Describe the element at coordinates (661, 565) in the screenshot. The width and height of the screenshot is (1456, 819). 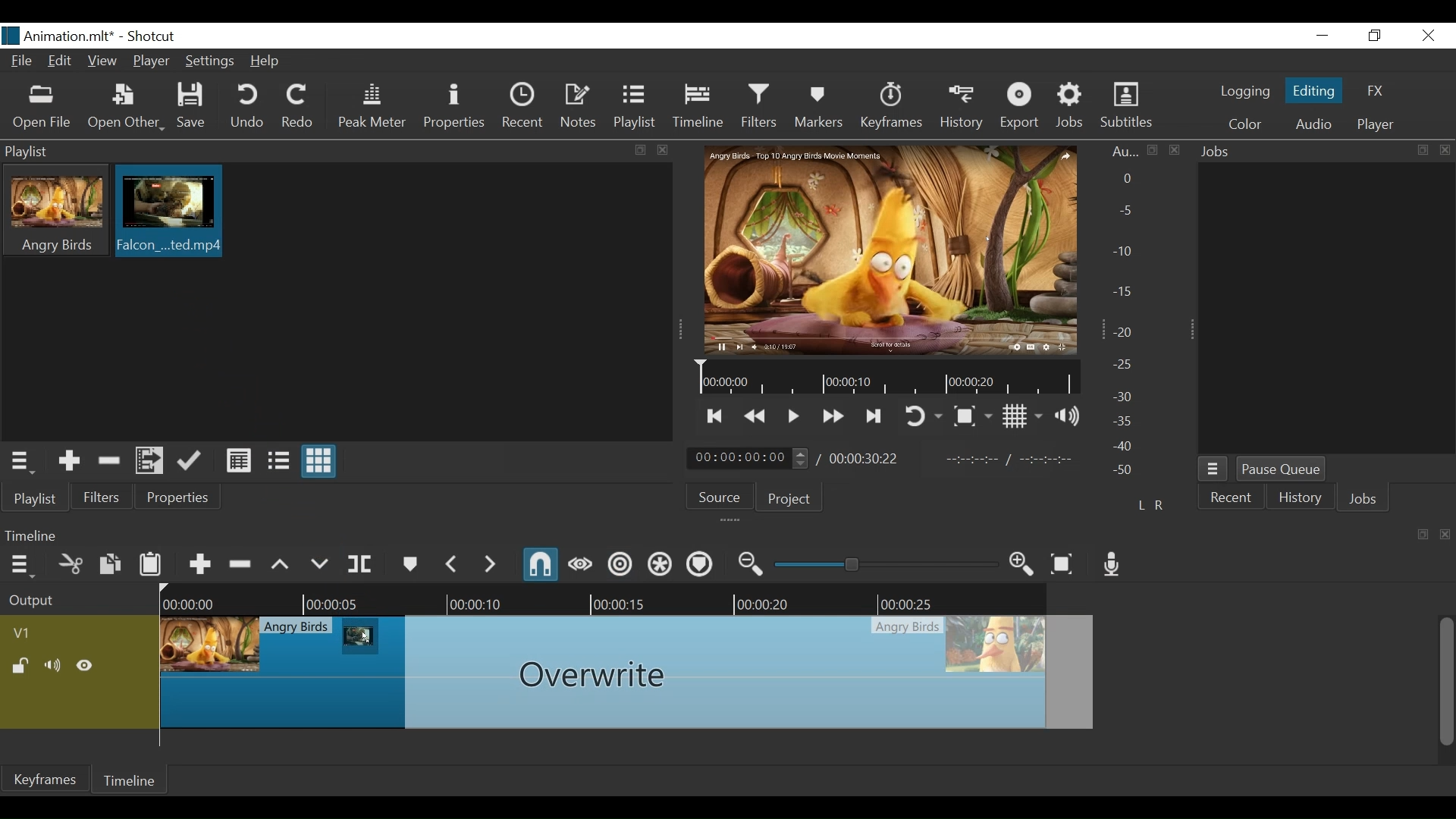
I see `Ripple all tracks` at that location.